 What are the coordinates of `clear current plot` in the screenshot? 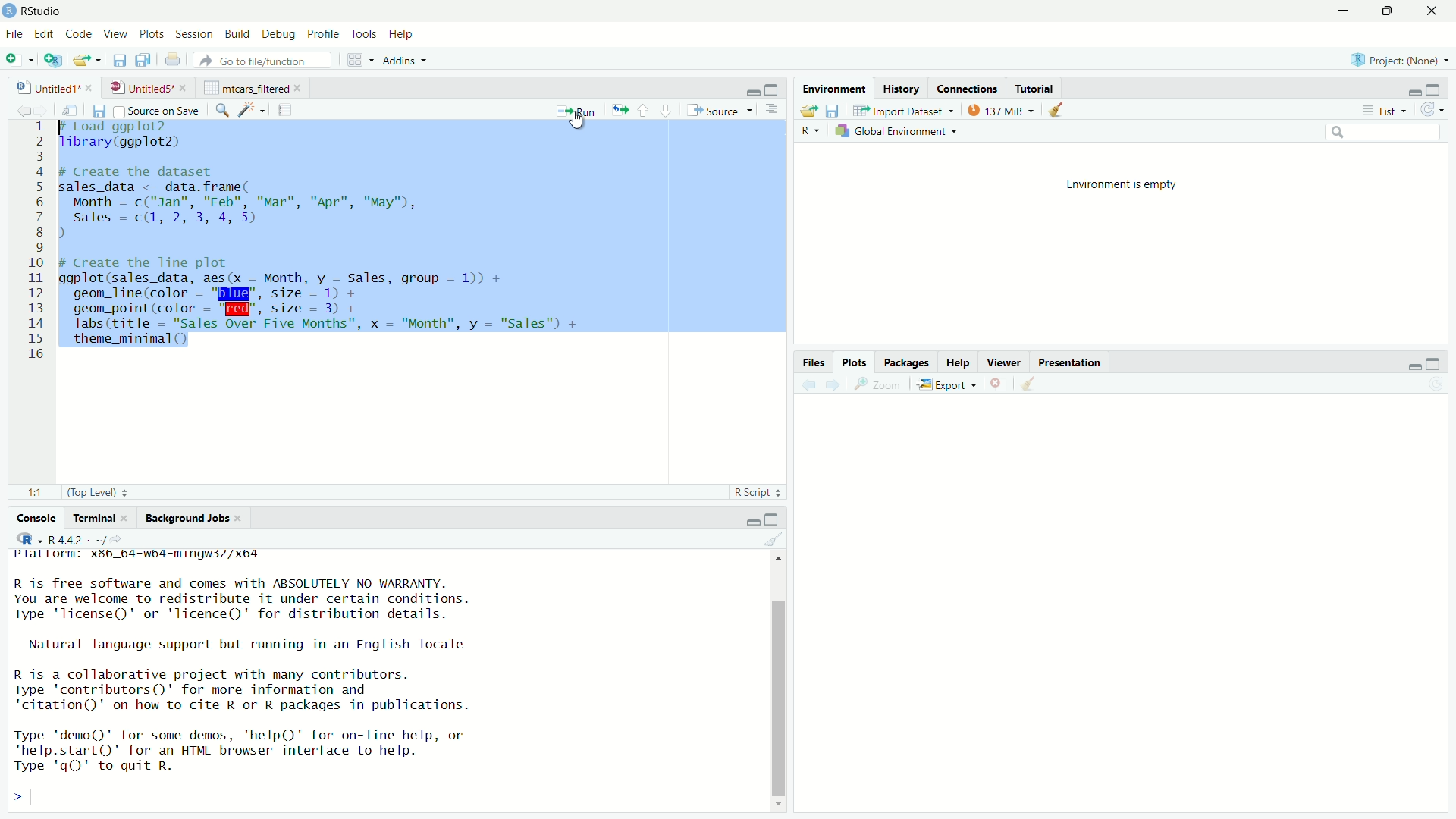 It's located at (998, 384).